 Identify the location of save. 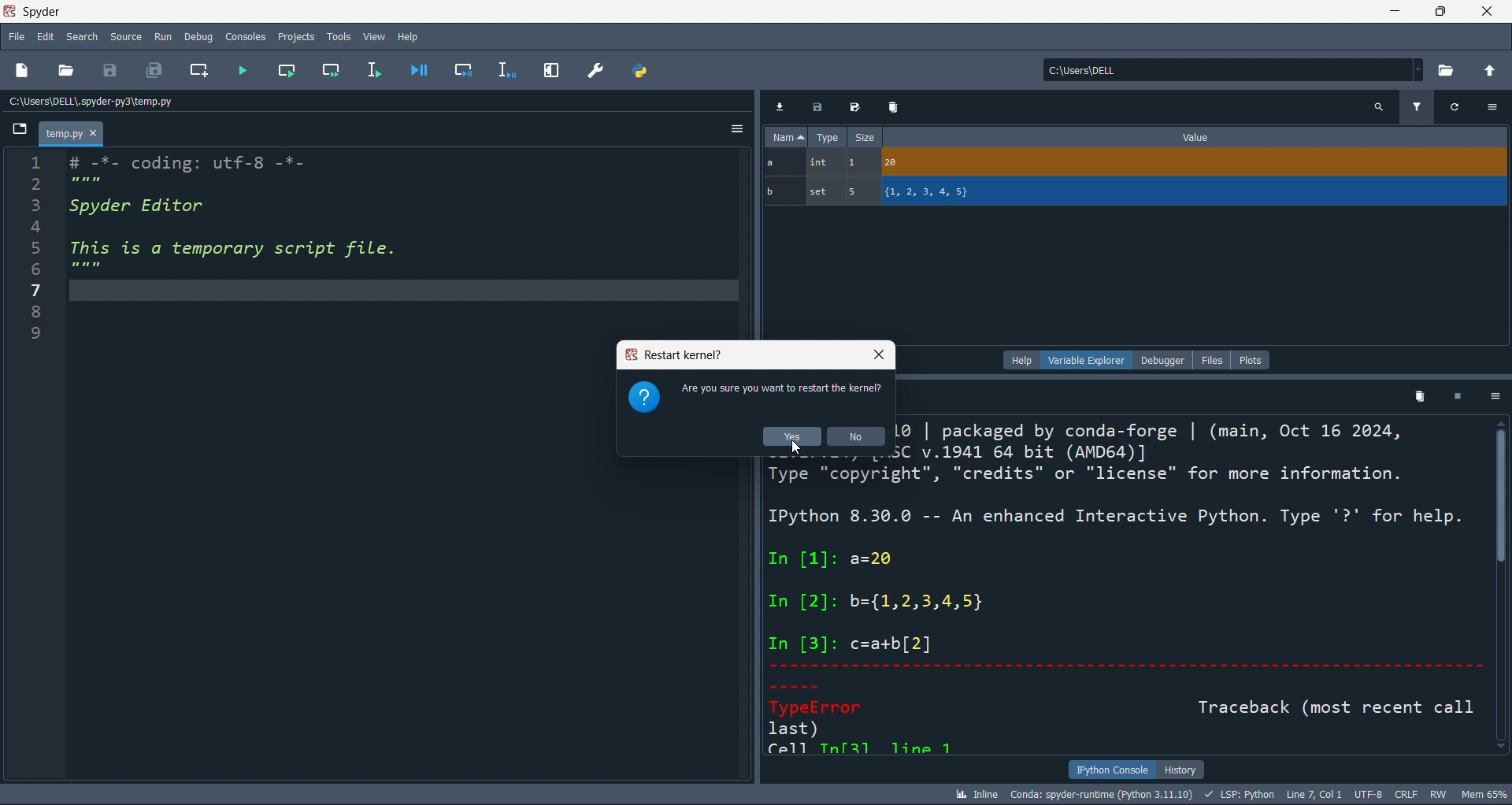
(819, 108).